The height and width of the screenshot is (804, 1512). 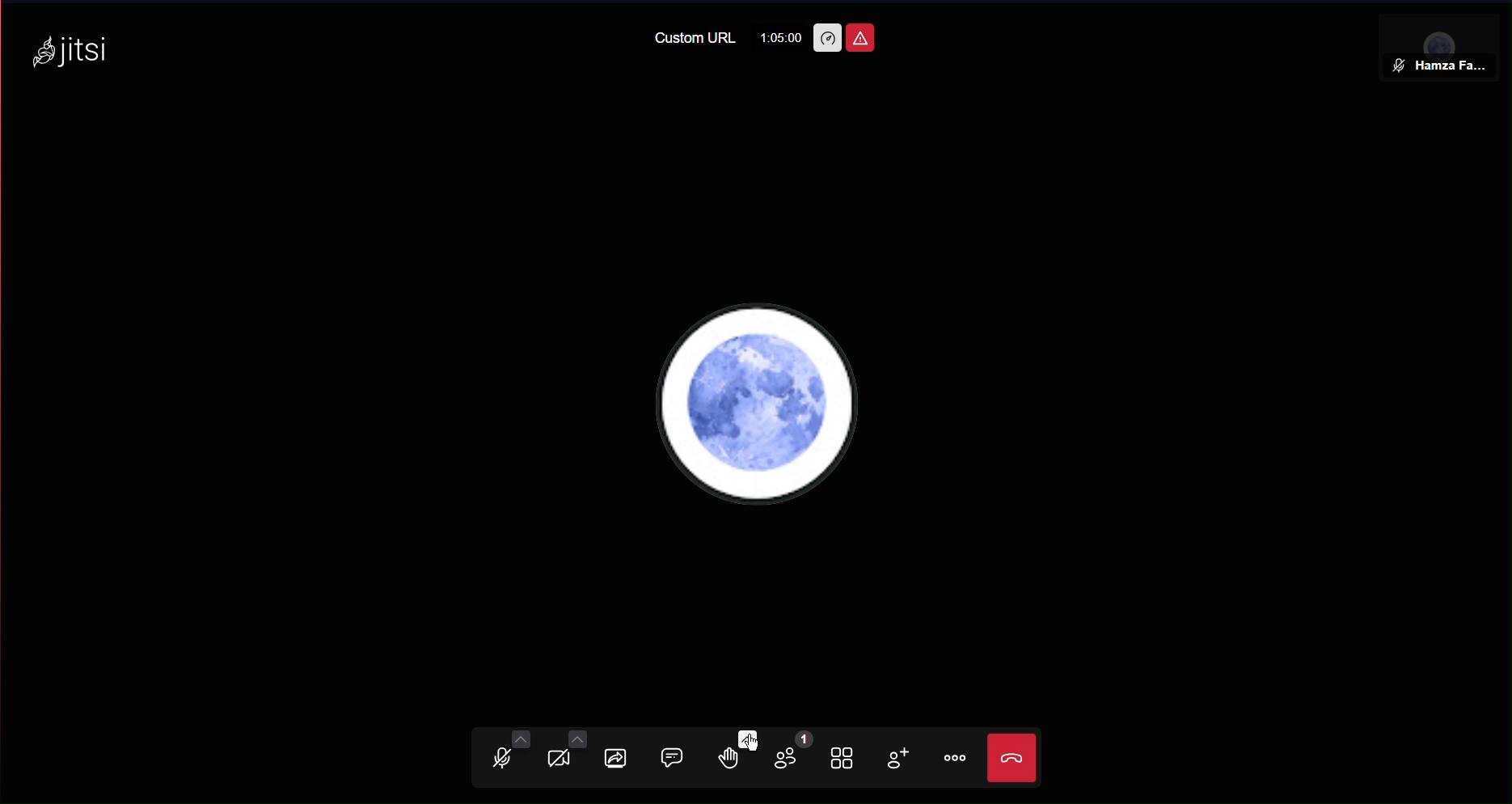 I want to click on Participant View, so click(x=1442, y=39).